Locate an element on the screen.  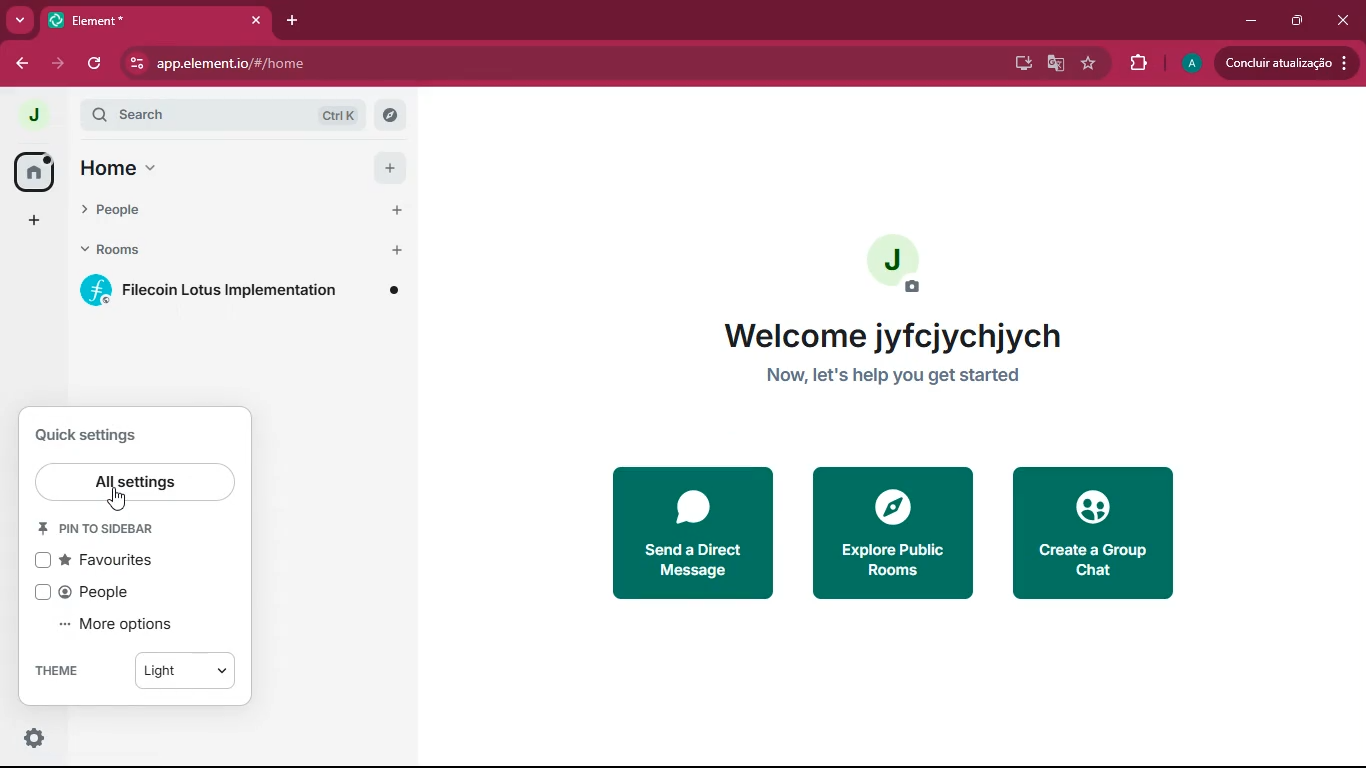
create a group chat is located at coordinates (1092, 533).